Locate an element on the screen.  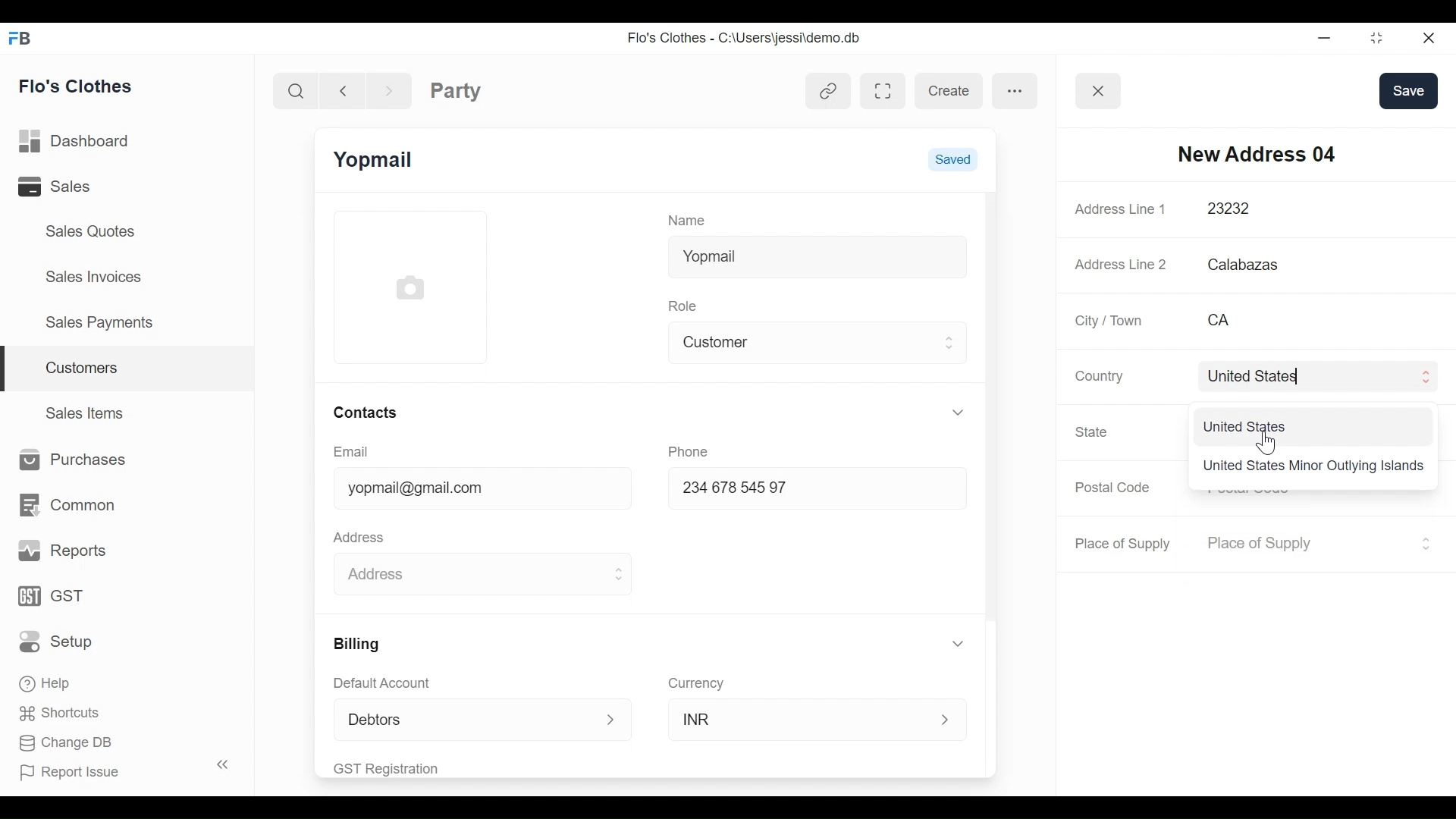
Report Issue is located at coordinates (117, 769).